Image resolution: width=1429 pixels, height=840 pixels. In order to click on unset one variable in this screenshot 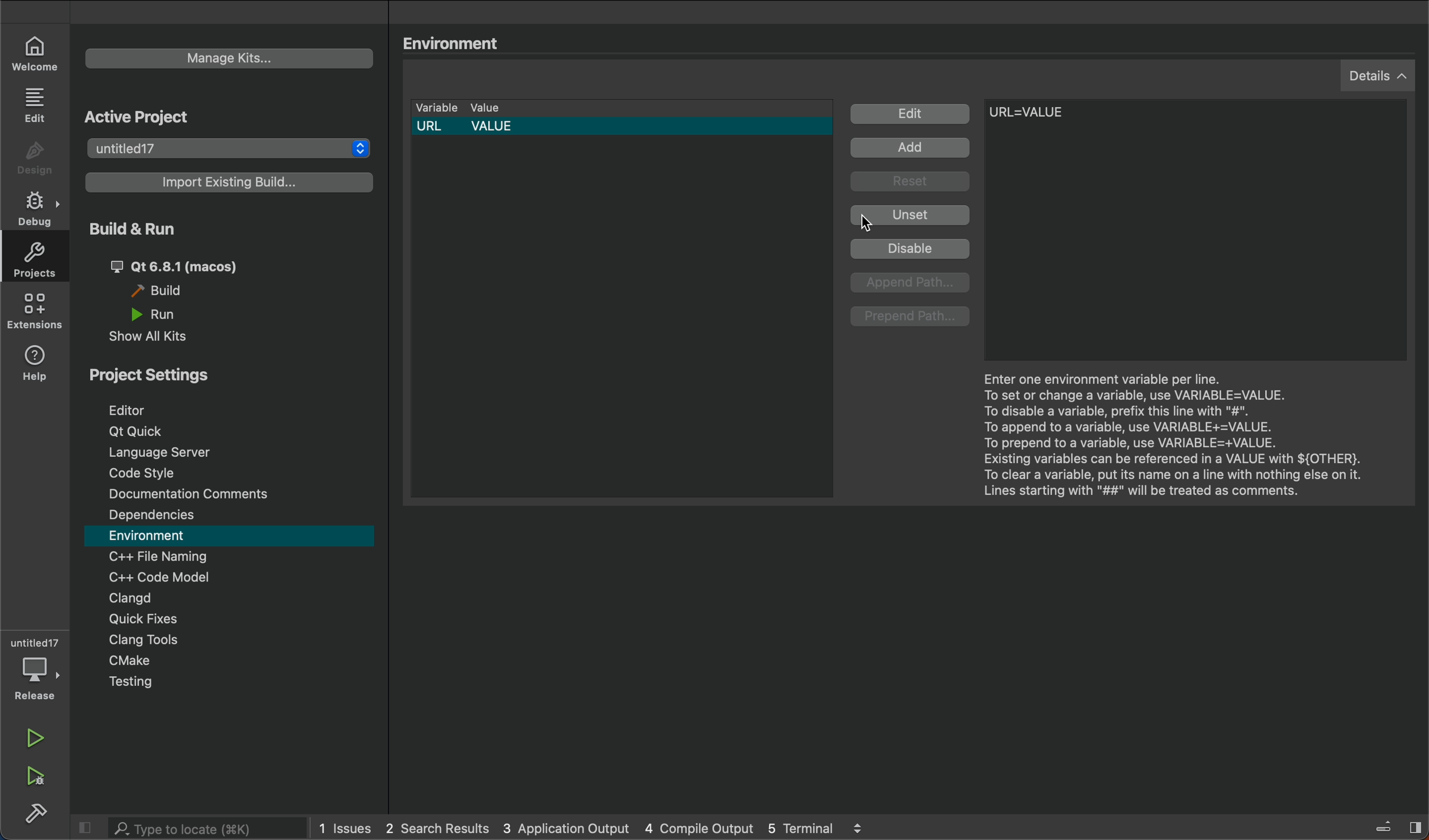, I will do `click(624, 144)`.